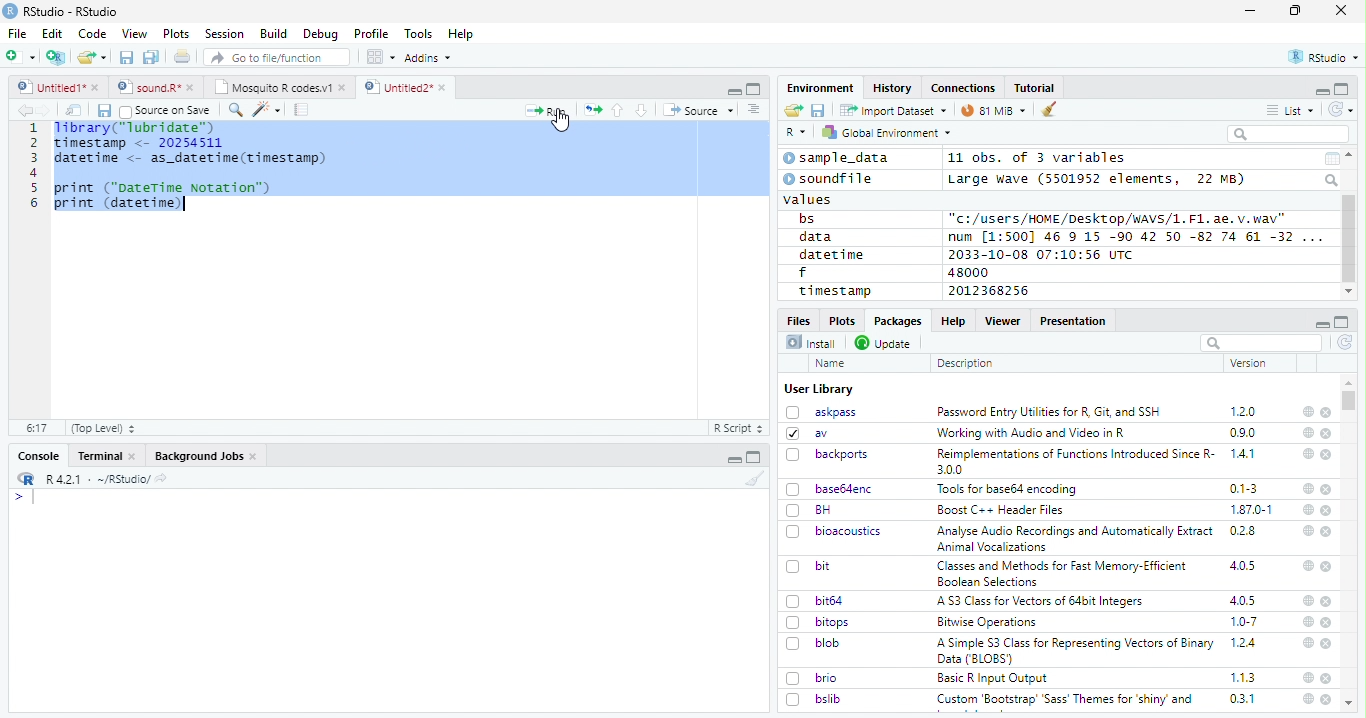 The height and width of the screenshot is (718, 1366). I want to click on Password Entry Utilities for R, Git, and SSH, so click(1049, 412).